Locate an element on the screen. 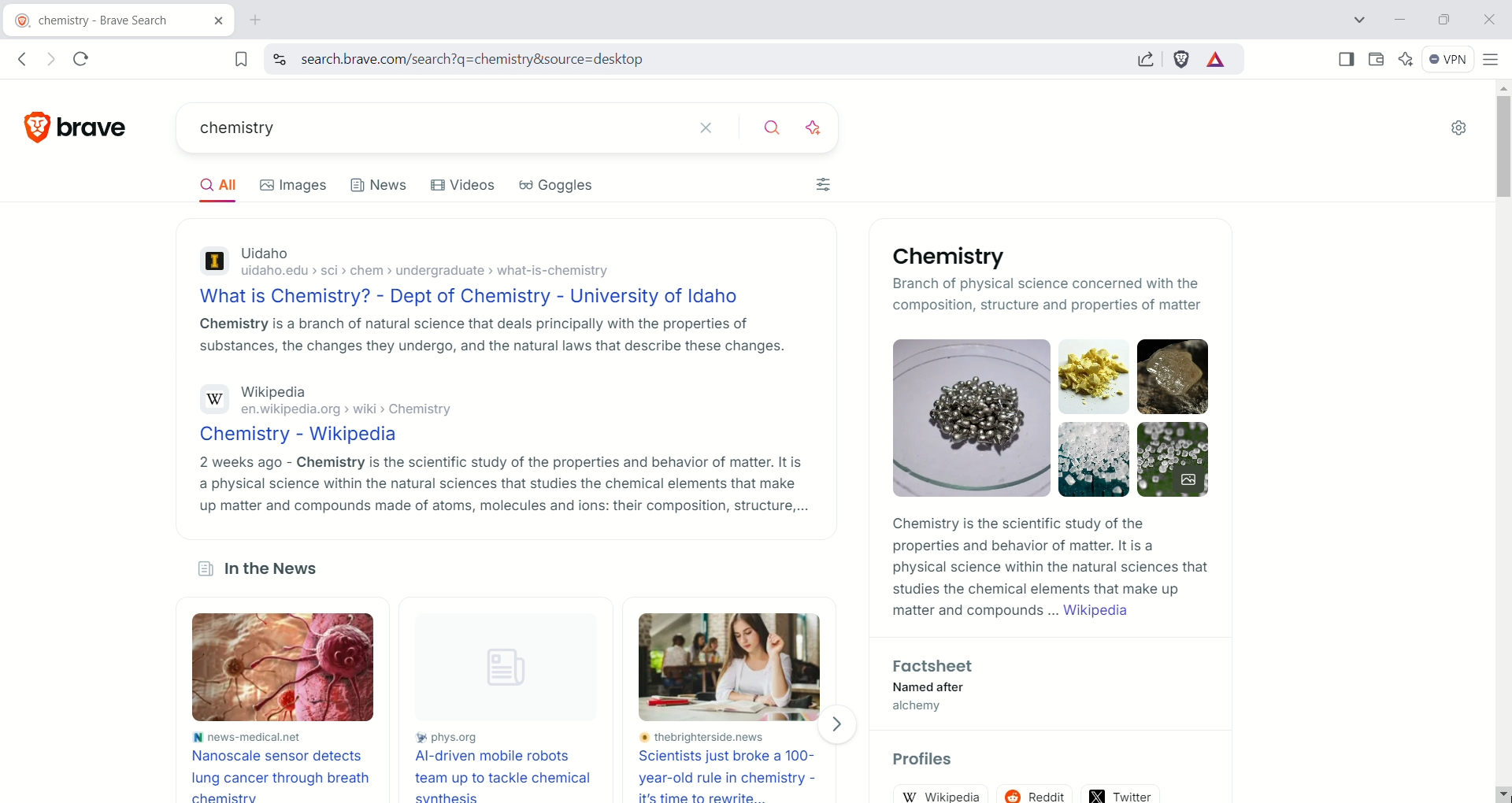 The image size is (1512, 803). chemistry is located at coordinates (414, 130).